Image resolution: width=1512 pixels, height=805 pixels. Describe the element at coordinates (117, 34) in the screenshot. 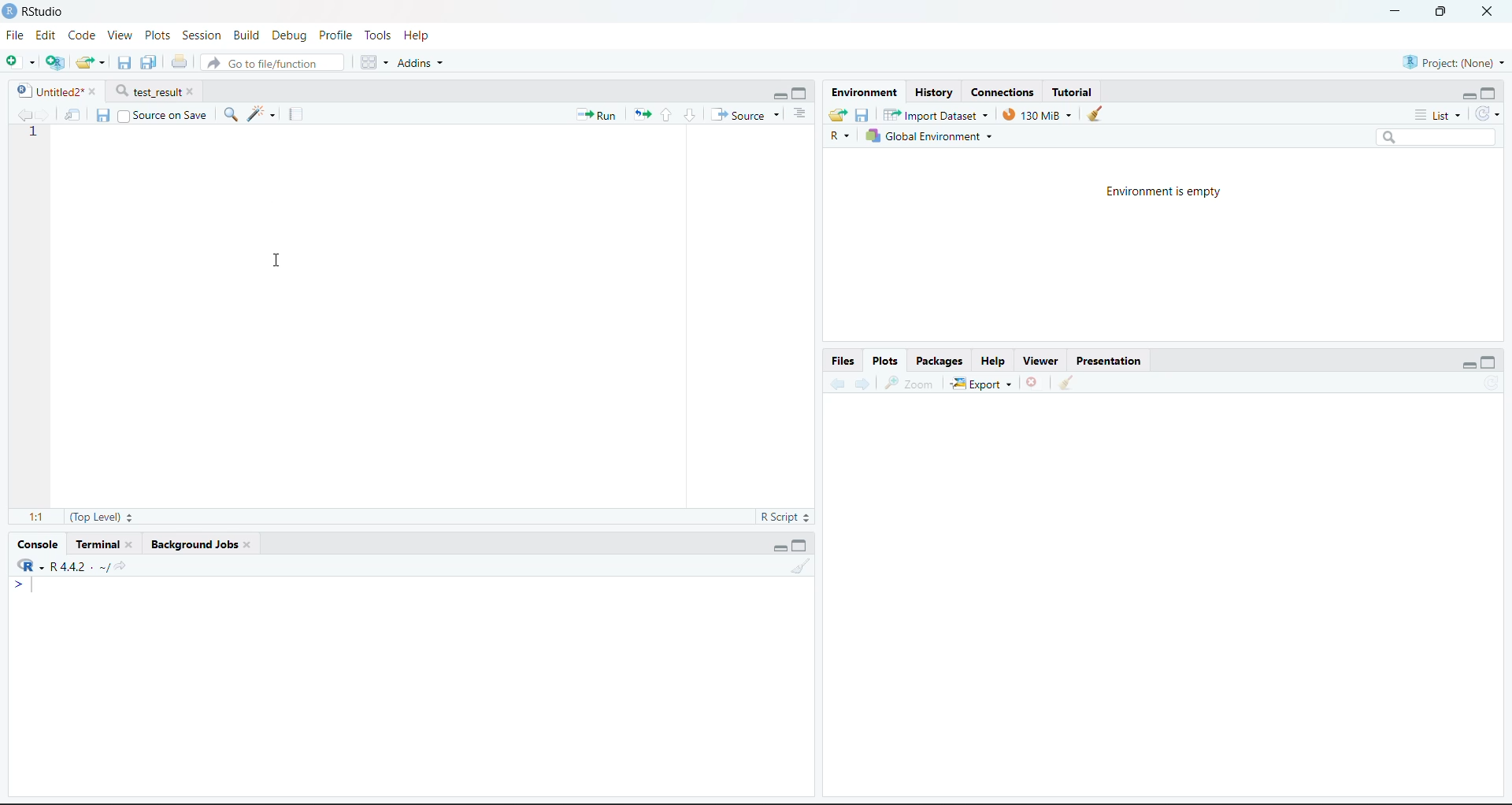

I see `View` at that location.